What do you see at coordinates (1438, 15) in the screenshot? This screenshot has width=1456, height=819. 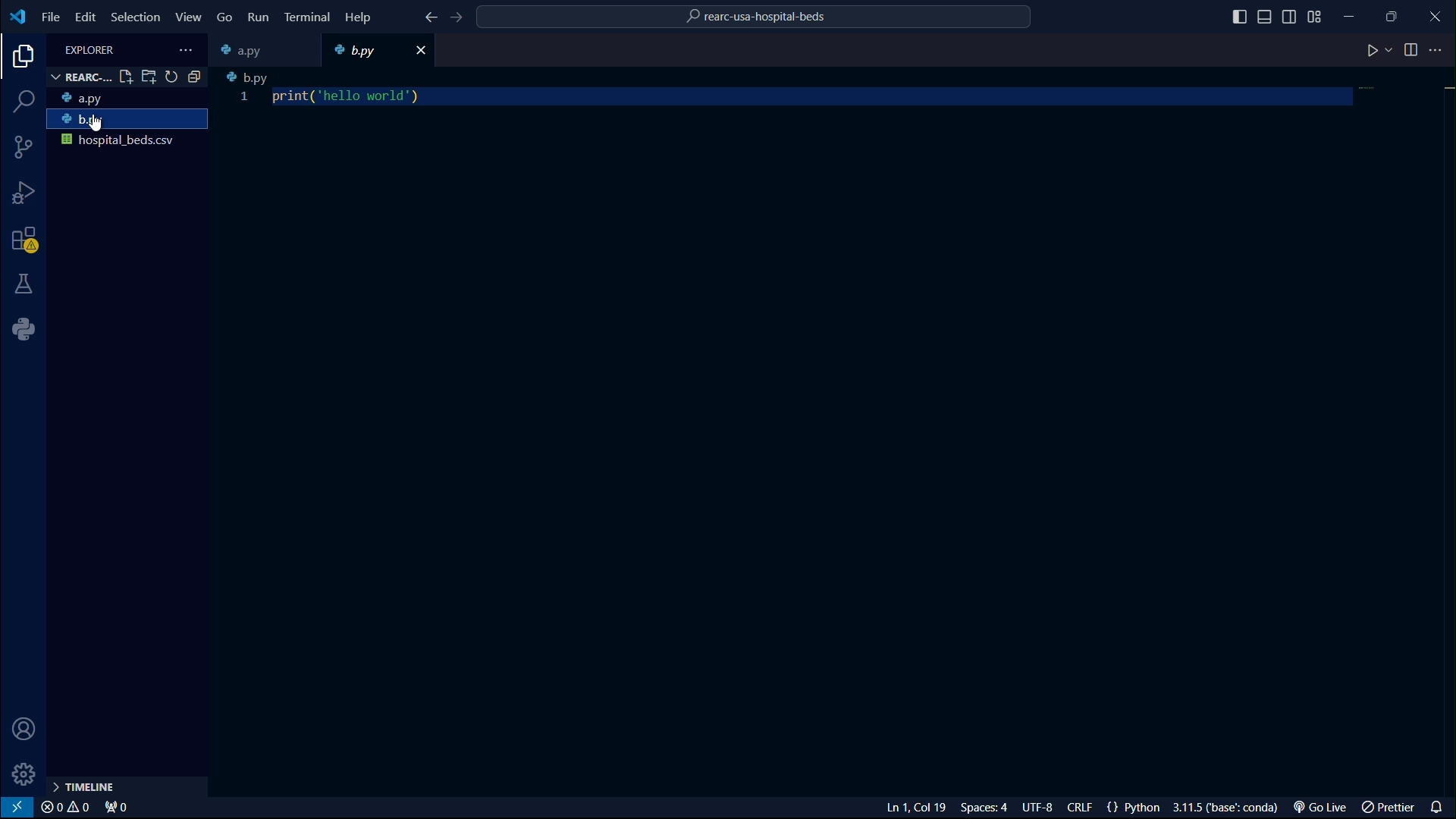 I see `close app` at bounding box center [1438, 15].